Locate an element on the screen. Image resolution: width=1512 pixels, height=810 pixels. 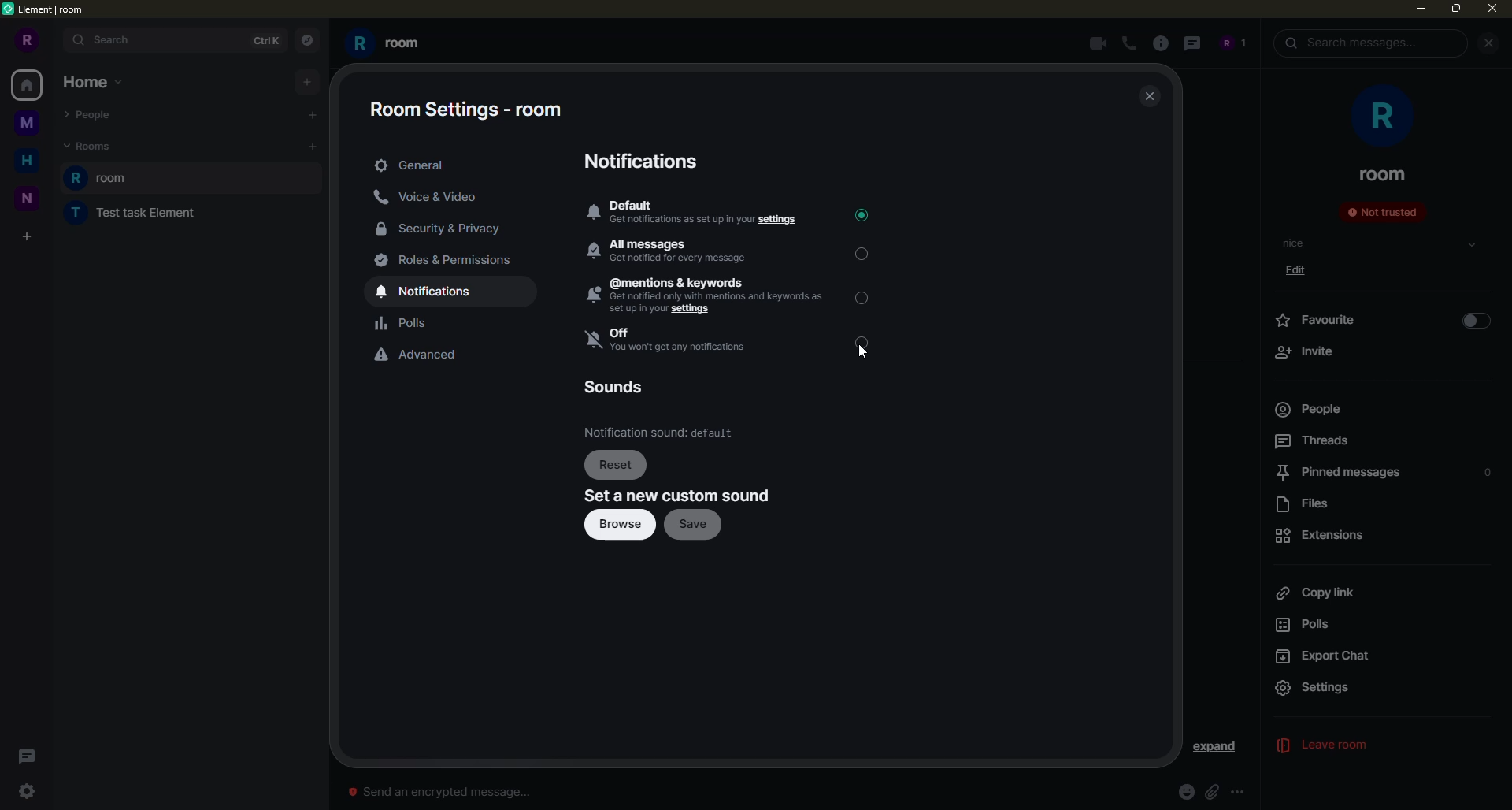
All rooms is located at coordinates (27, 86).